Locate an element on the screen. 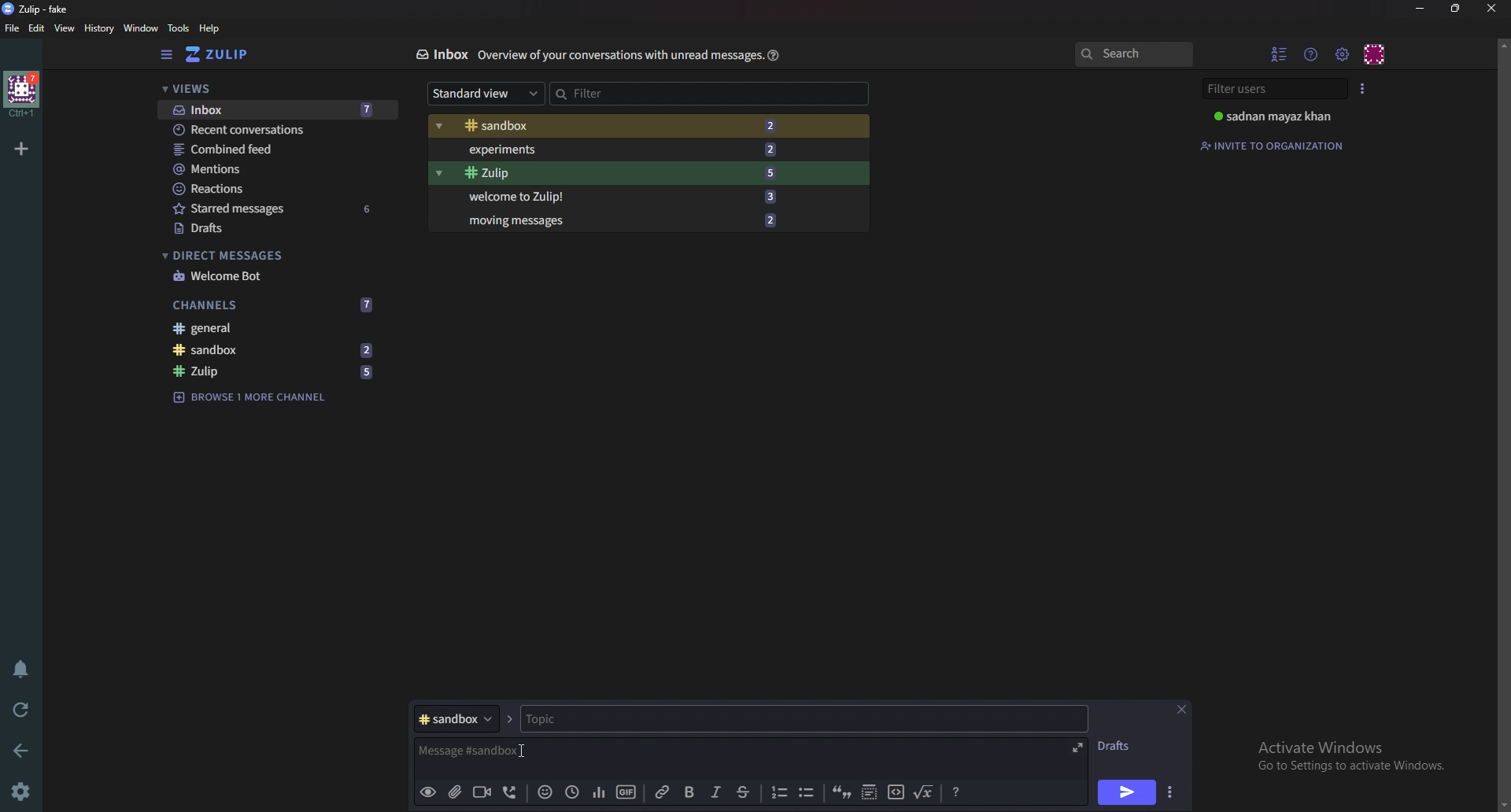  Voice call is located at coordinates (508, 794).